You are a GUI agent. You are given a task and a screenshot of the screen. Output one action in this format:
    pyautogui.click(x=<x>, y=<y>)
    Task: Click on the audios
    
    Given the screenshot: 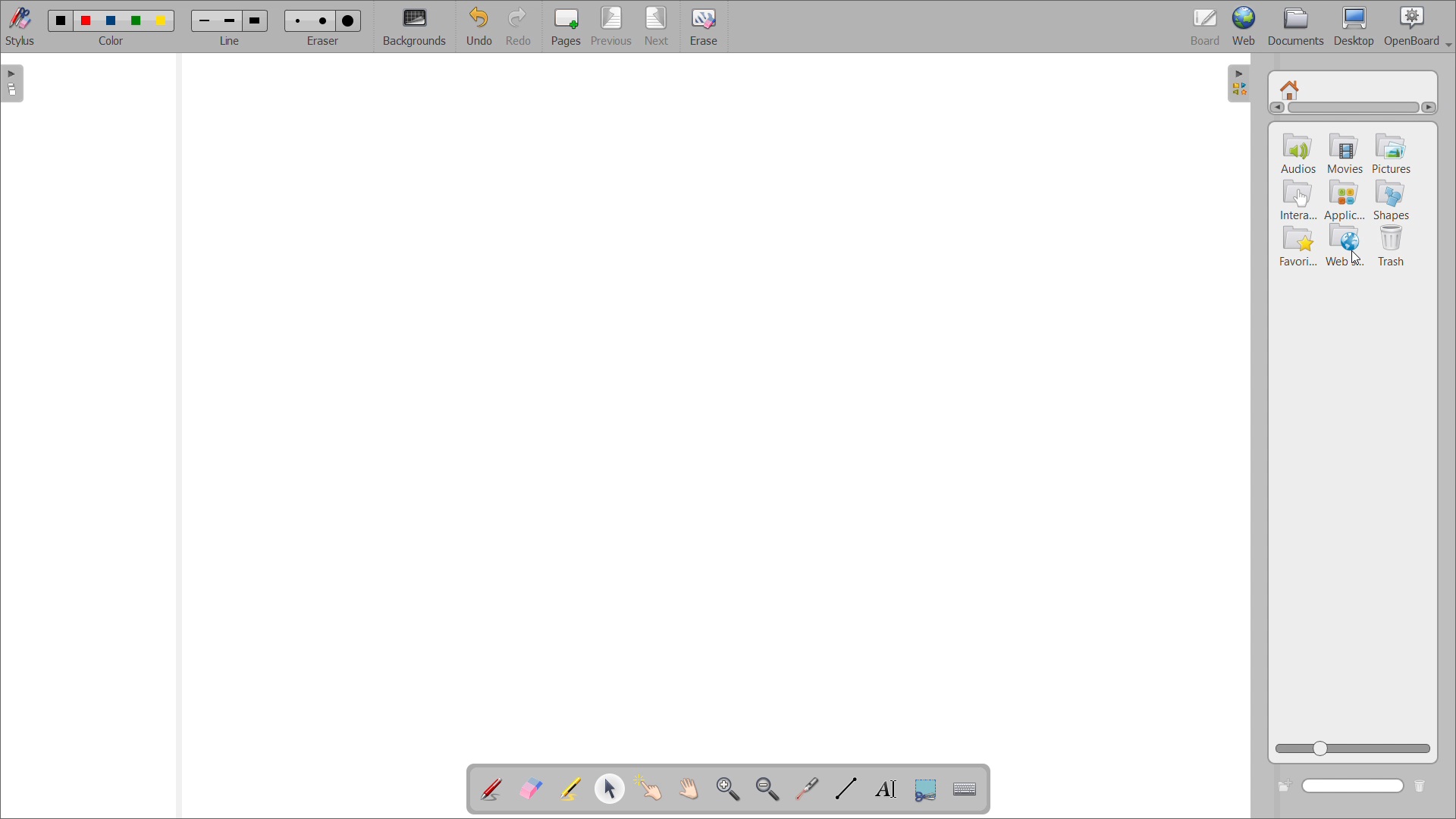 What is the action you would take?
    pyautogui.click(x=1296, y=152)
    